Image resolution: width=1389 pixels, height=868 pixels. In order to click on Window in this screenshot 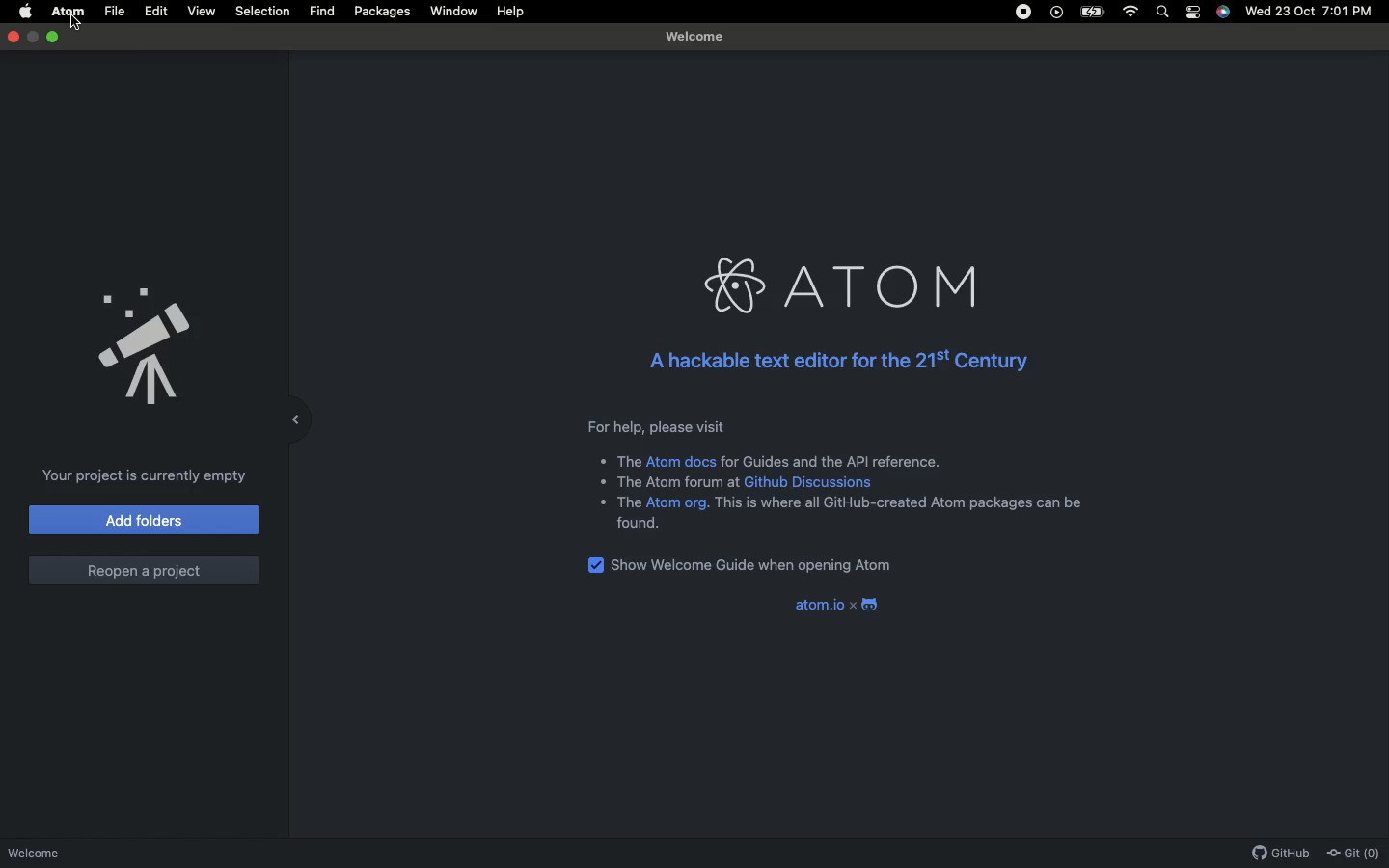, I will do `click(452, 11)`.